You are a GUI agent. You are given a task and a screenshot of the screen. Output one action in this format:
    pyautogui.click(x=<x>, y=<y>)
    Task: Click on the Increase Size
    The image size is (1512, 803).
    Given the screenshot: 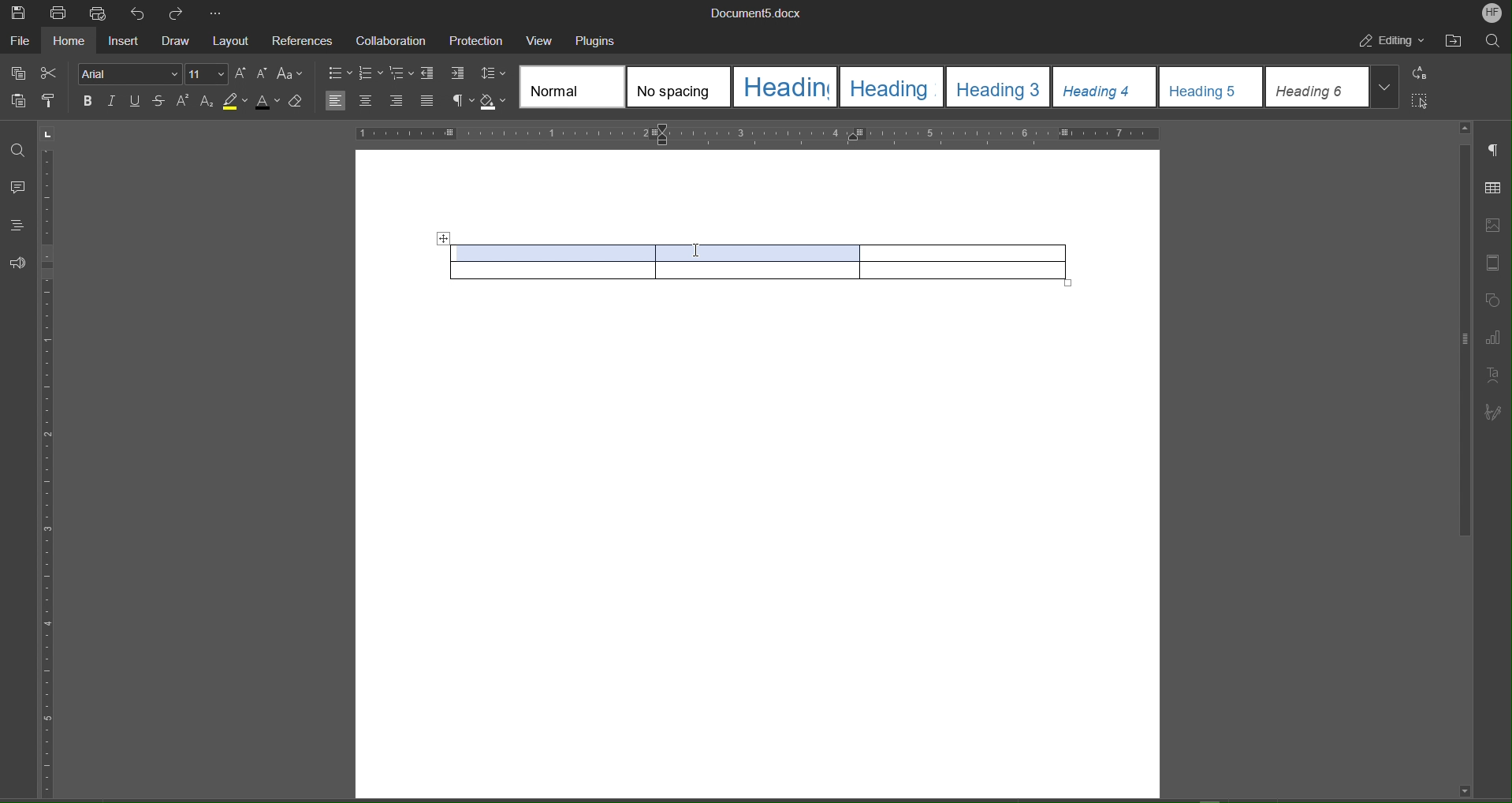 What is the action you would take?
    pyautogui.click(x=240, y=74)
    